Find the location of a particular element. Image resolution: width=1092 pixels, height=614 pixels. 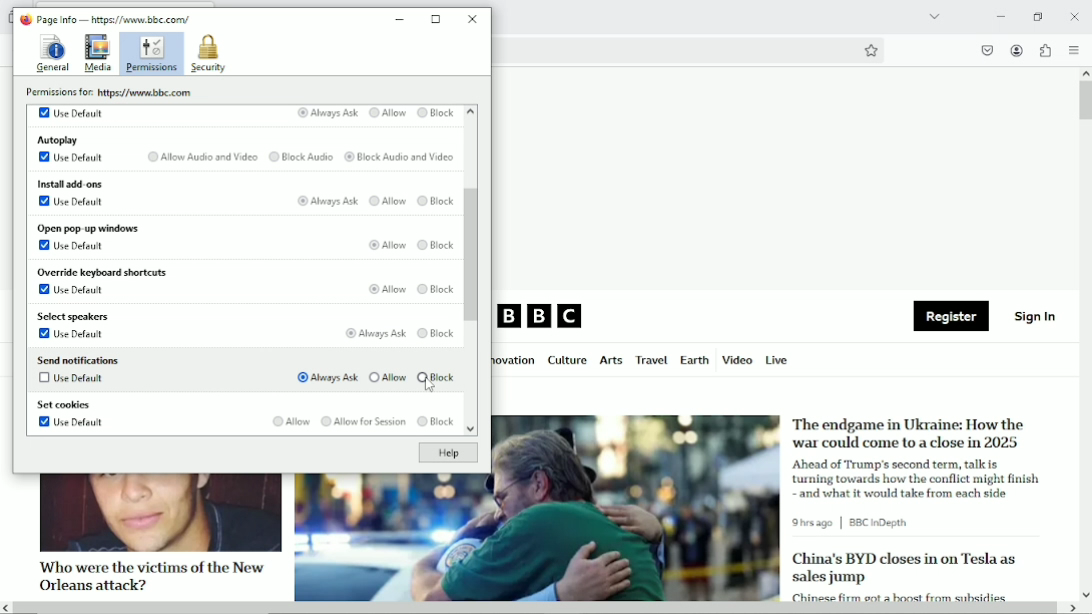

Always ask is located at coordinates (326, 378).